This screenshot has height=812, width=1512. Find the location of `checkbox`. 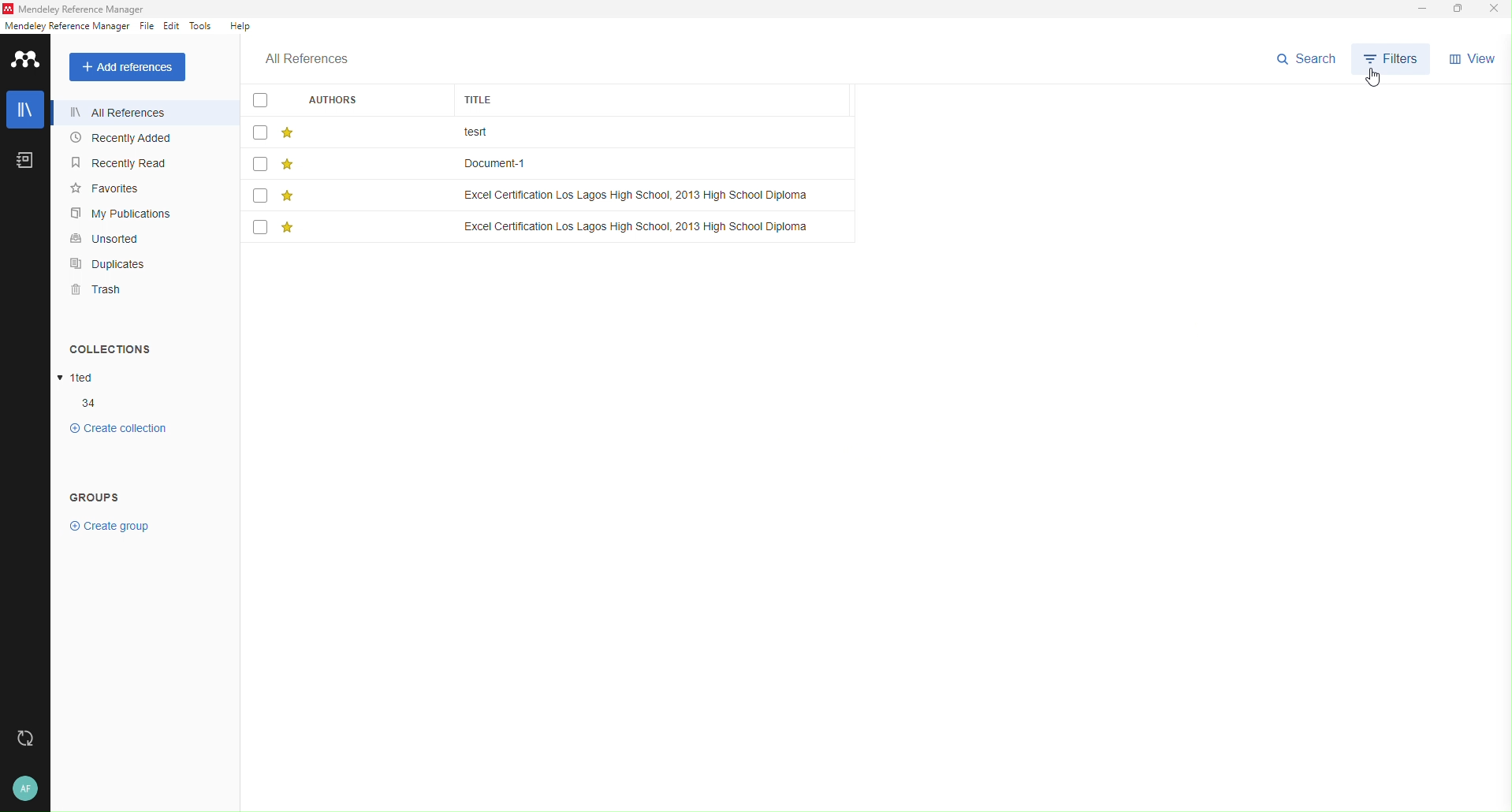

checkbox is located at coordinates (260, 132).